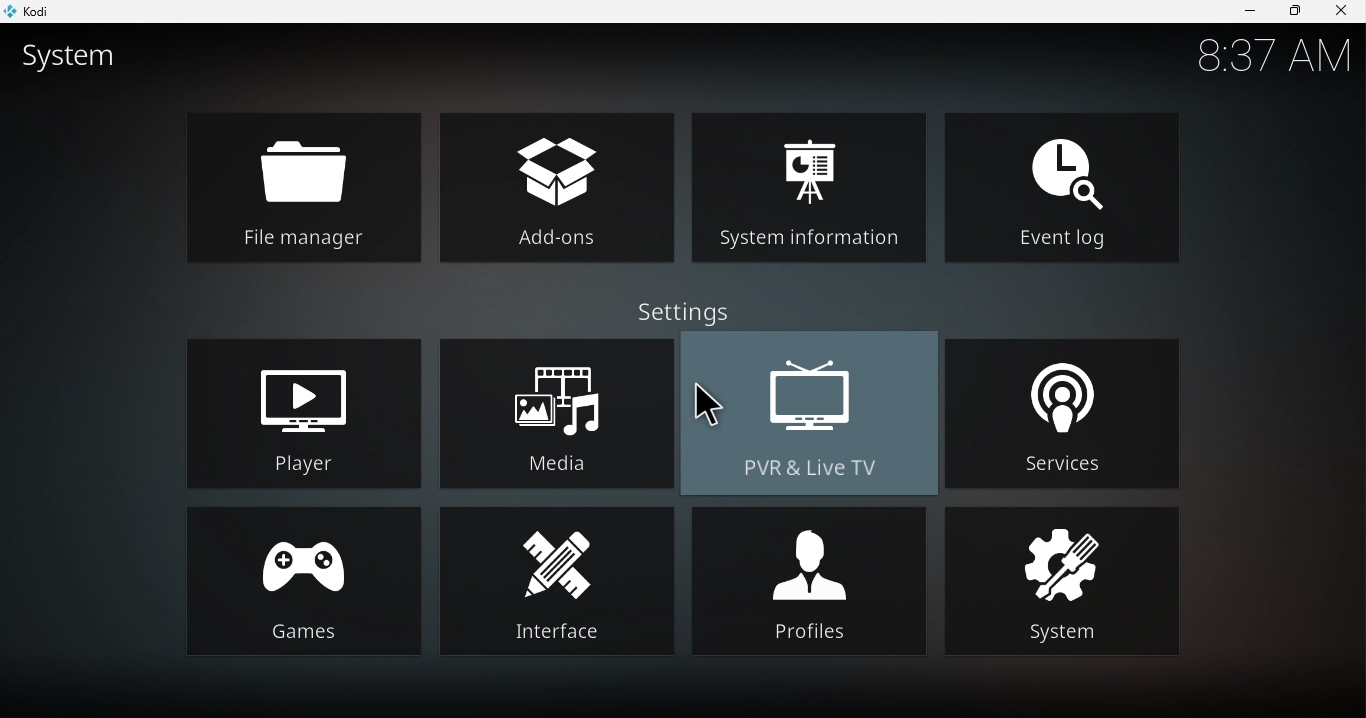 The width and height of the screenshot is (1366, 718). What do you see at coordinates (806, 185) in the screenshot?
I see `System information` at bounding box center [806, 185].